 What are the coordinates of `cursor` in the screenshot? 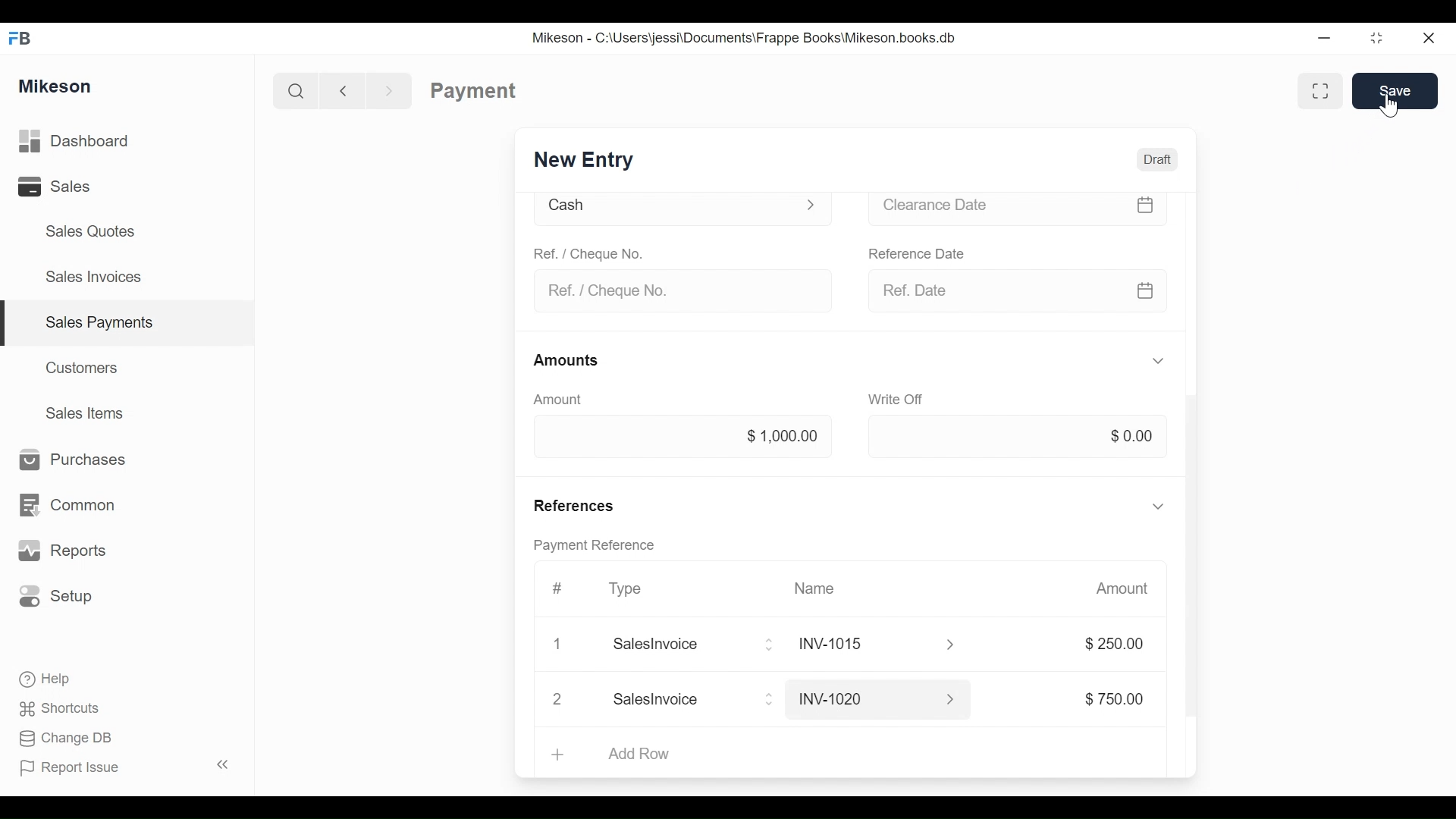 It's located at (1392, 107).